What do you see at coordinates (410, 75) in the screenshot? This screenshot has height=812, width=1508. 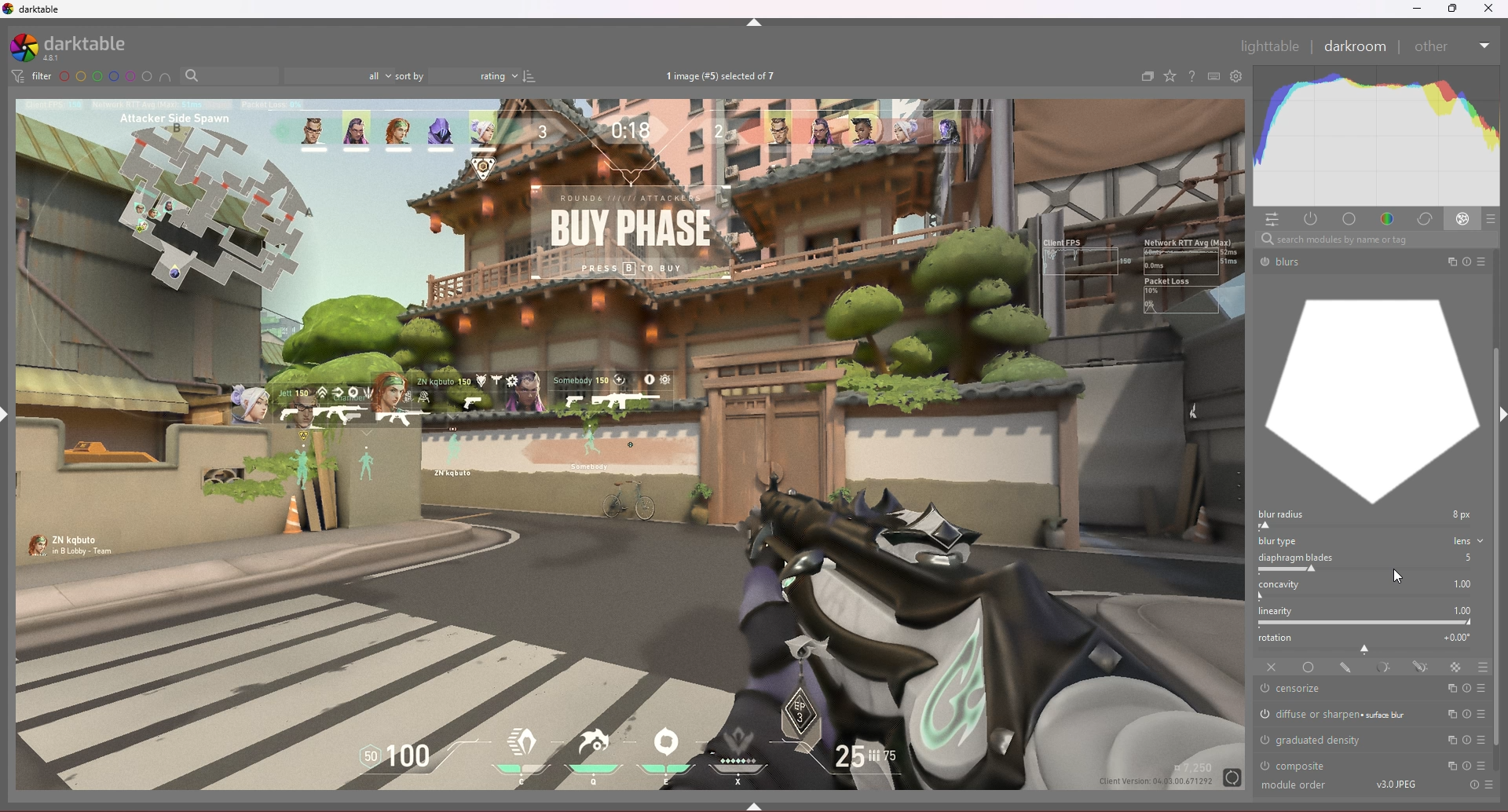 I see `sort by` at bounding box center [410, 75].